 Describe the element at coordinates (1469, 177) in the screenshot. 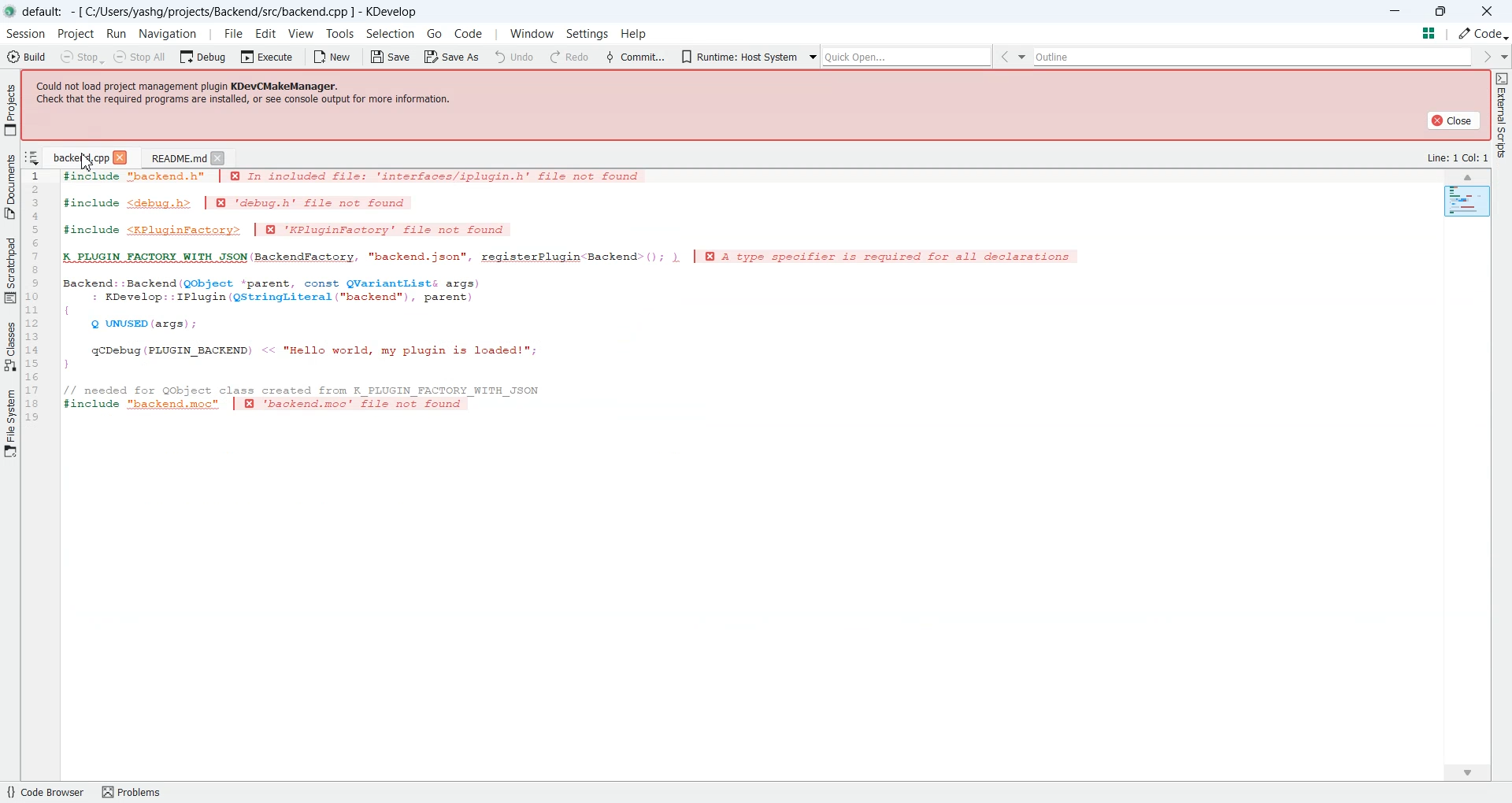

I see `Scroll up` at that location.